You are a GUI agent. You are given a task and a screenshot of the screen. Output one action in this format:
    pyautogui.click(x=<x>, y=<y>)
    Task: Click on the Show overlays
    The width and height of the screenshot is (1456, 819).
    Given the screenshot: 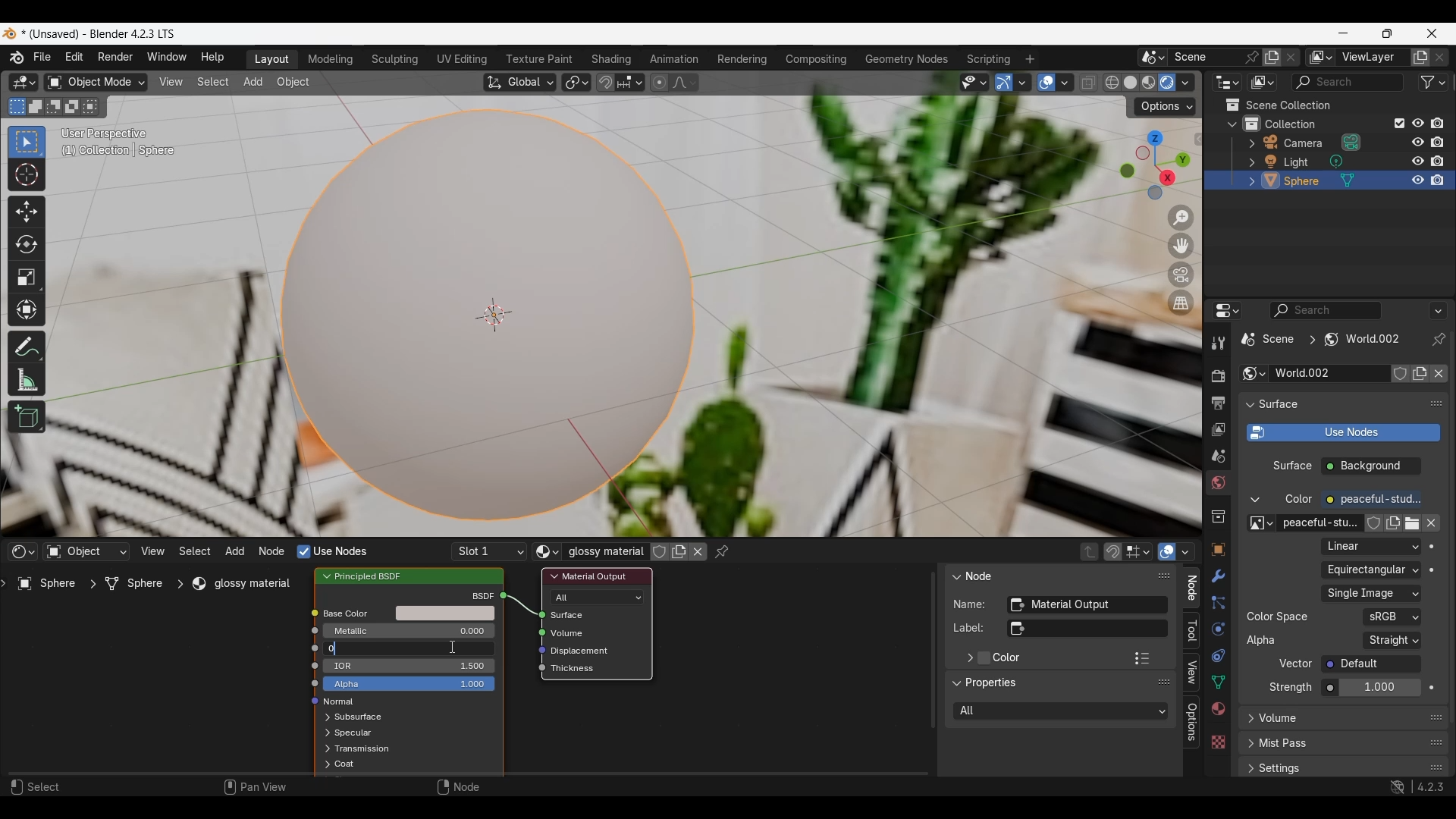 What is the action you would take?
    pyautogui.click(x=1168, y=551)
    